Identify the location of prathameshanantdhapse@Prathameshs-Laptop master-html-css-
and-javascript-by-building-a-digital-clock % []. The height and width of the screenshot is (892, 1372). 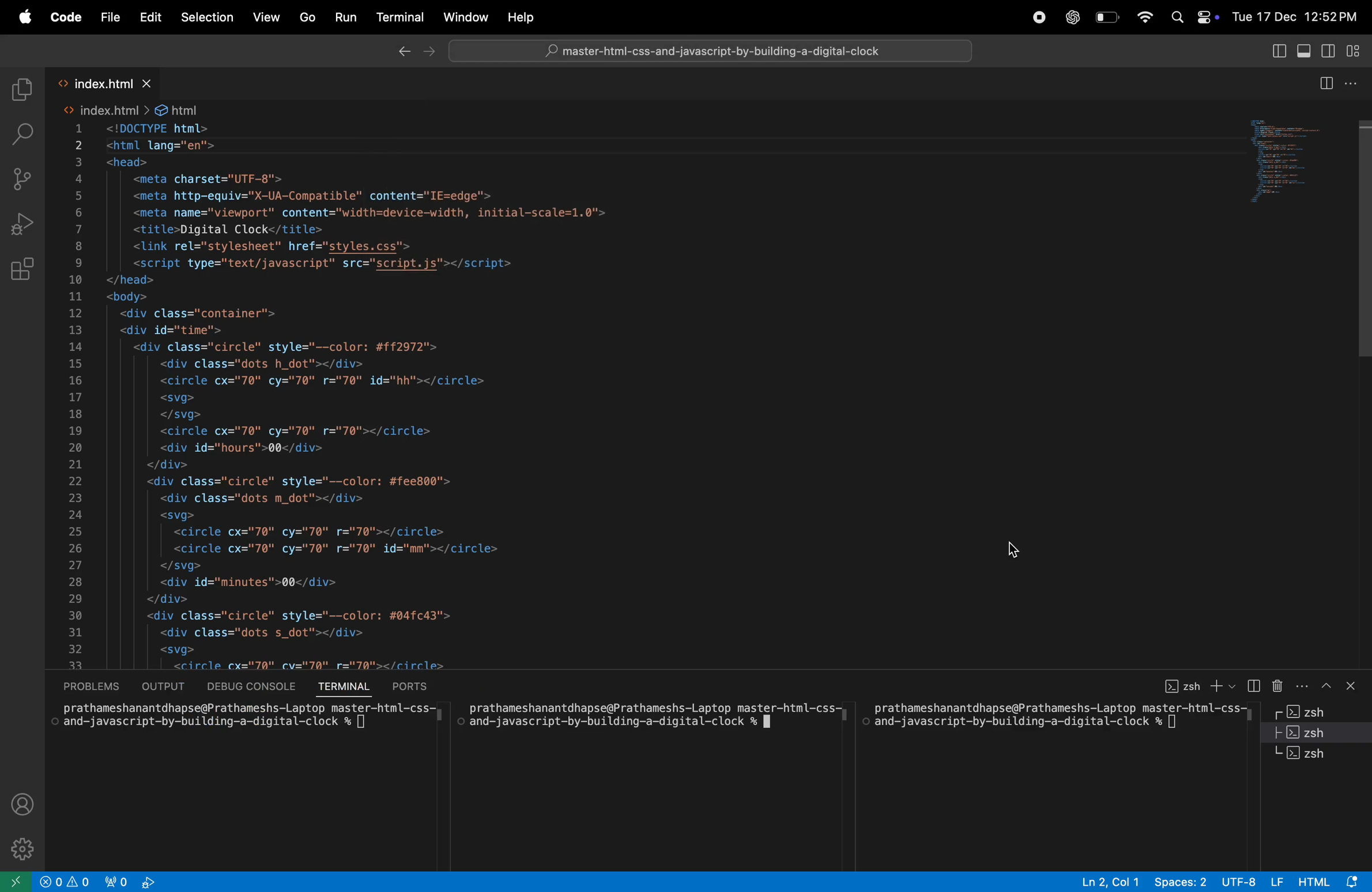
(1056, 716).